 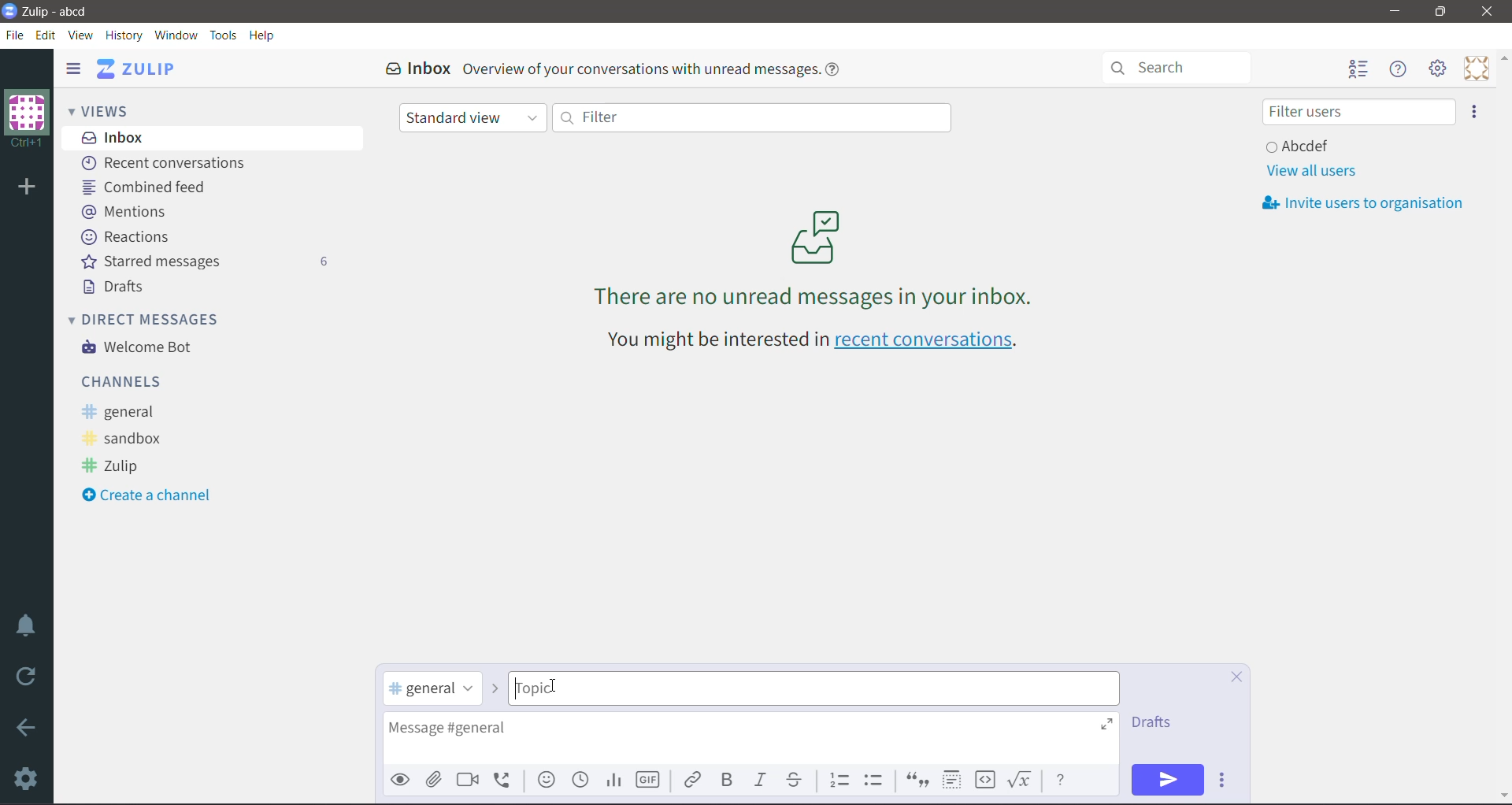 What do you see at coordinates (141, 348) in the screenshot?
I see `Welcome Bot` at bounding box center [141, 348].